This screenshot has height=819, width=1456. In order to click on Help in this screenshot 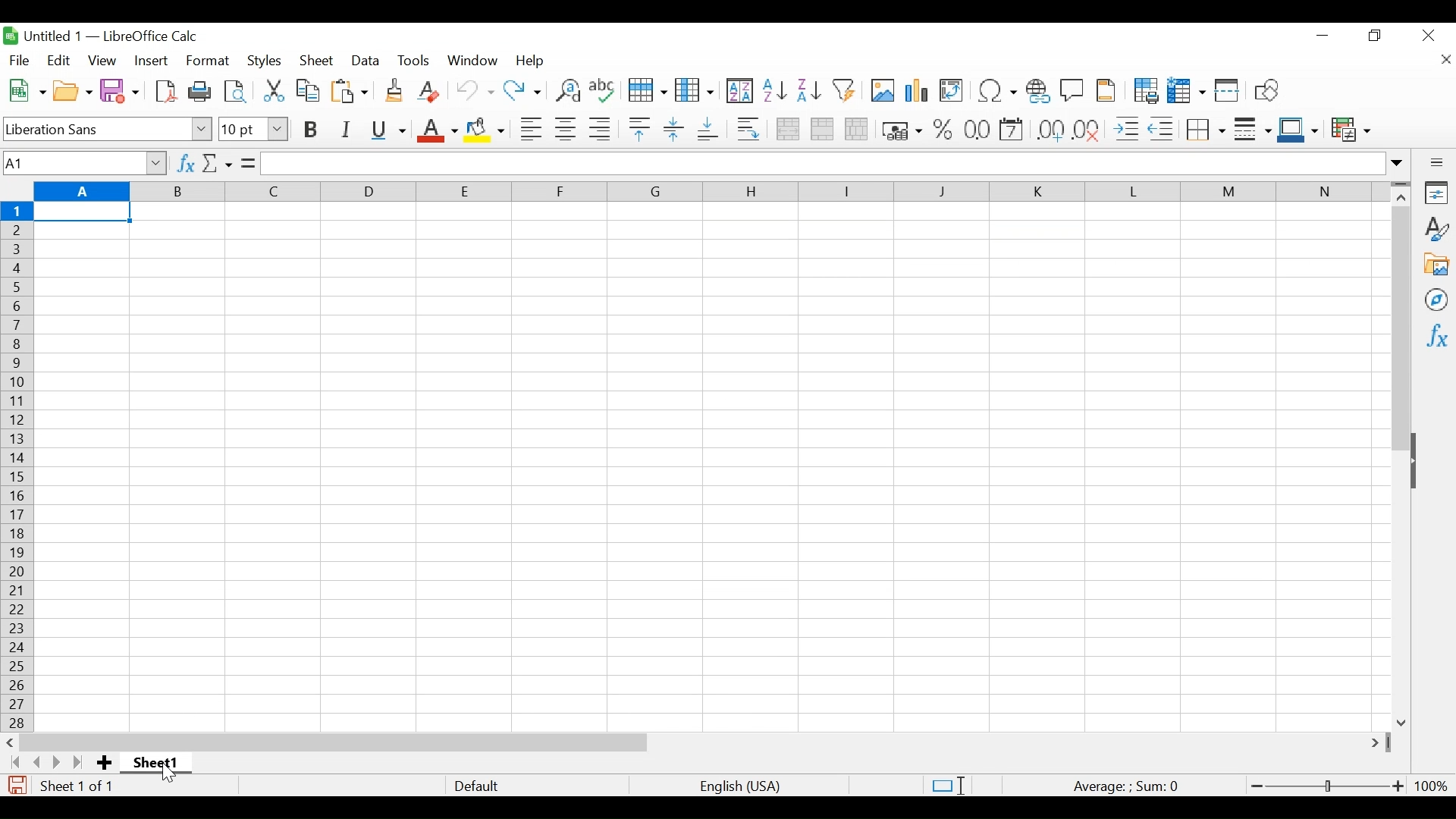, I will do `click(533, 62)`.